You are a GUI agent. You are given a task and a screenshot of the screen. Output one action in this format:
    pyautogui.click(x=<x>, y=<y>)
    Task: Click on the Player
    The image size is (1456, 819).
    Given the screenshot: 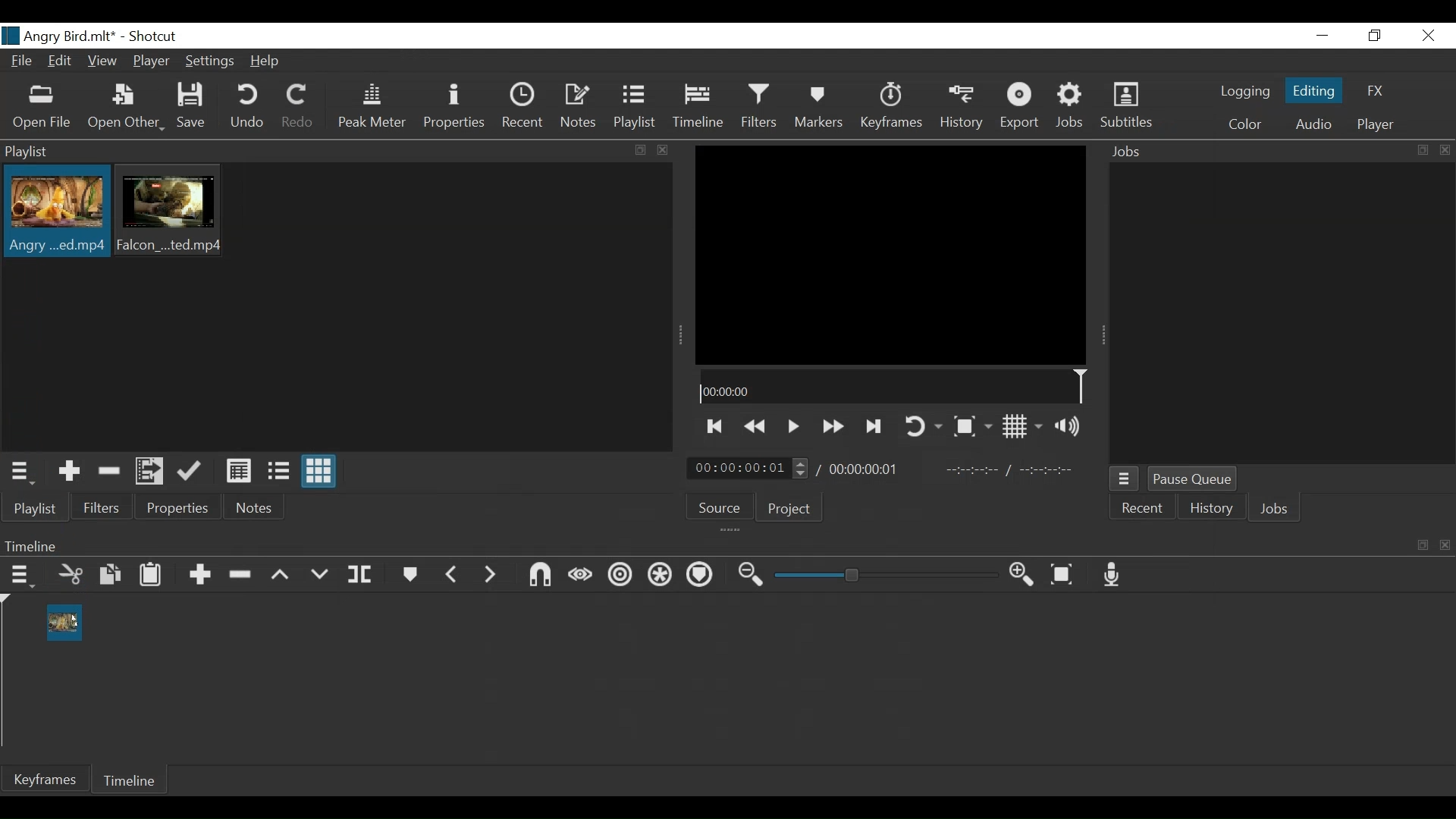 What is the action you would take?
    pyautogui.click(x=152, y=61)
    